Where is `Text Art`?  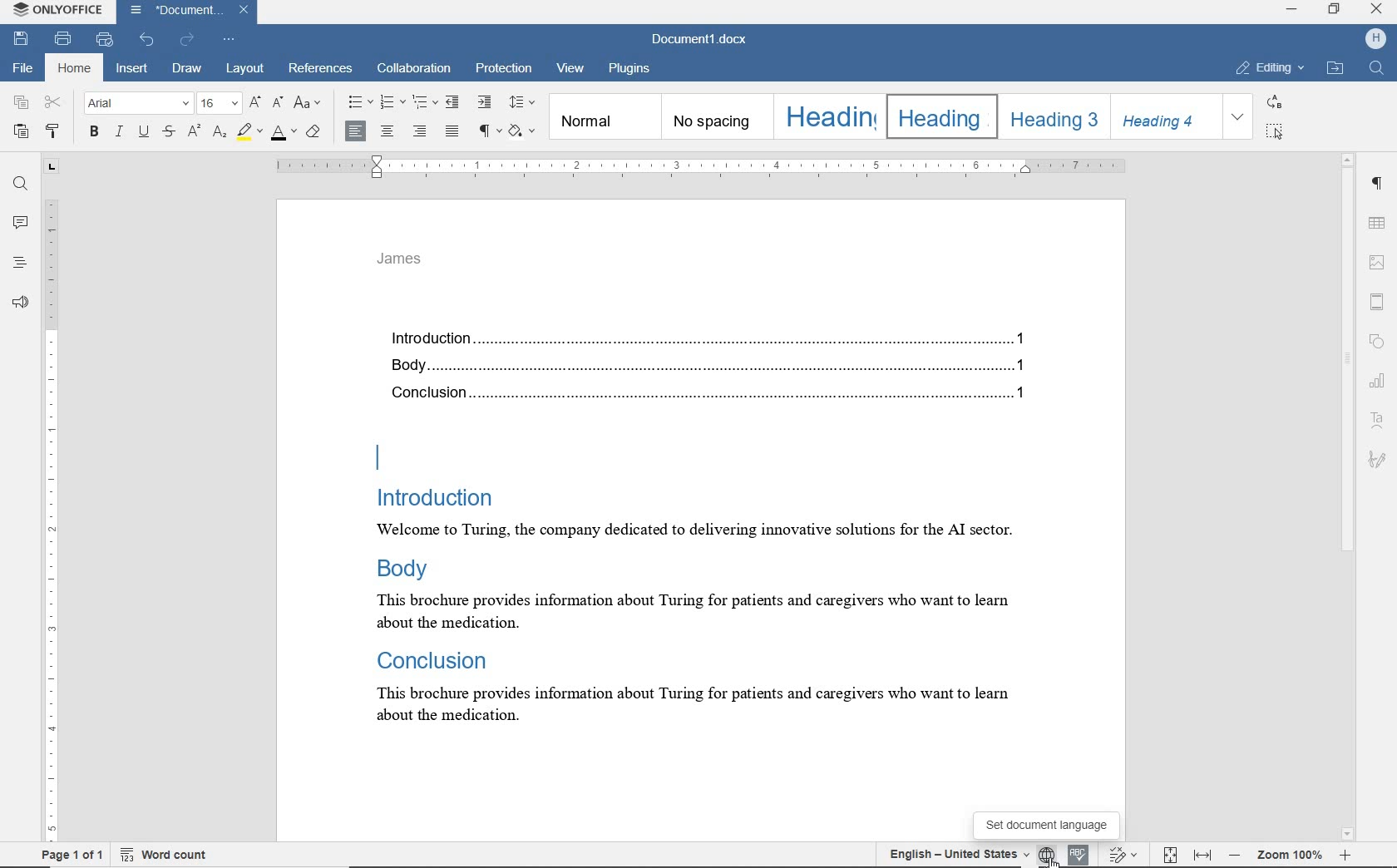 Text Art is located at coordinates (1379, 421).